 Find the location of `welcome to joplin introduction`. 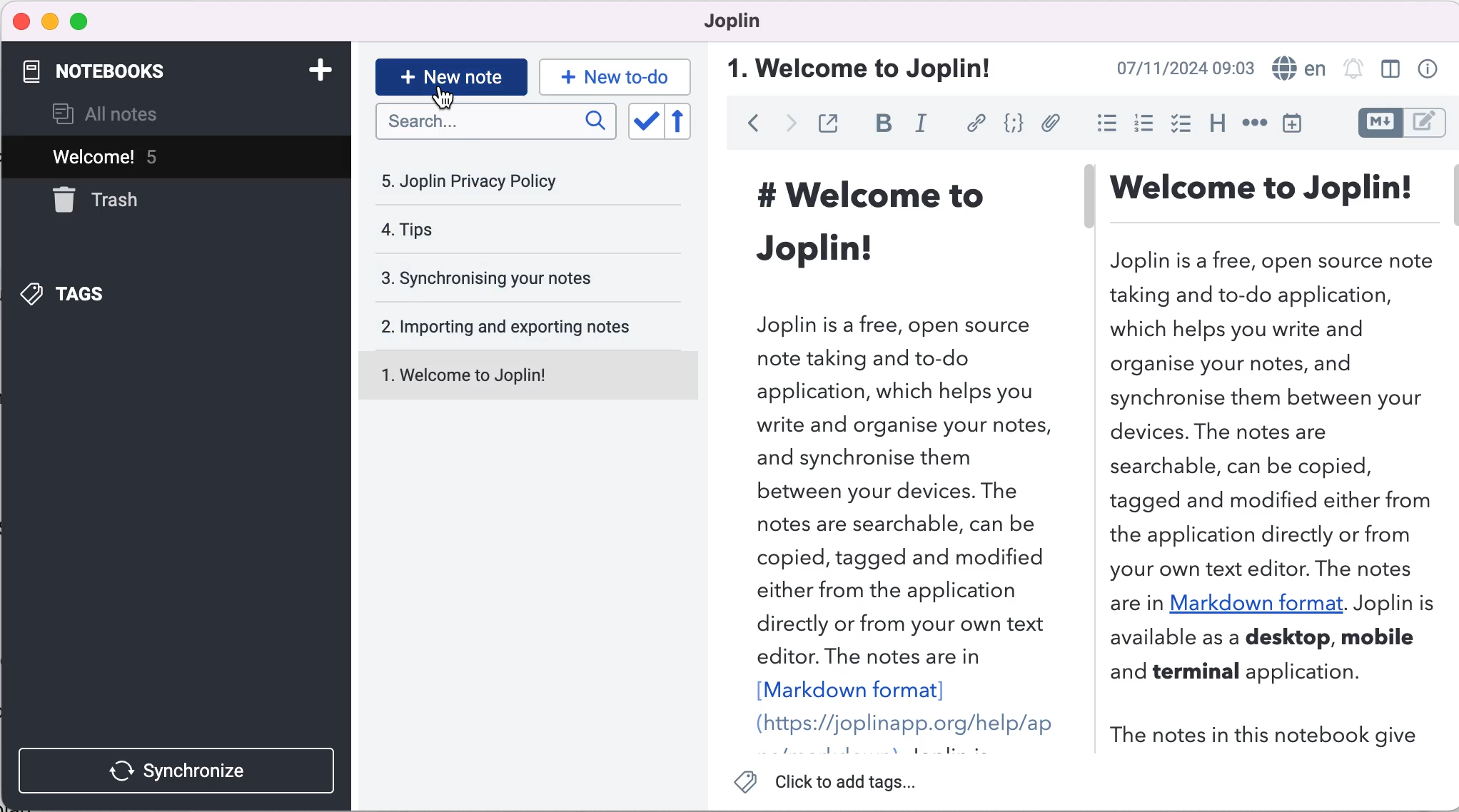

welcome to joplin introduction is located at coordinates (900, 456).